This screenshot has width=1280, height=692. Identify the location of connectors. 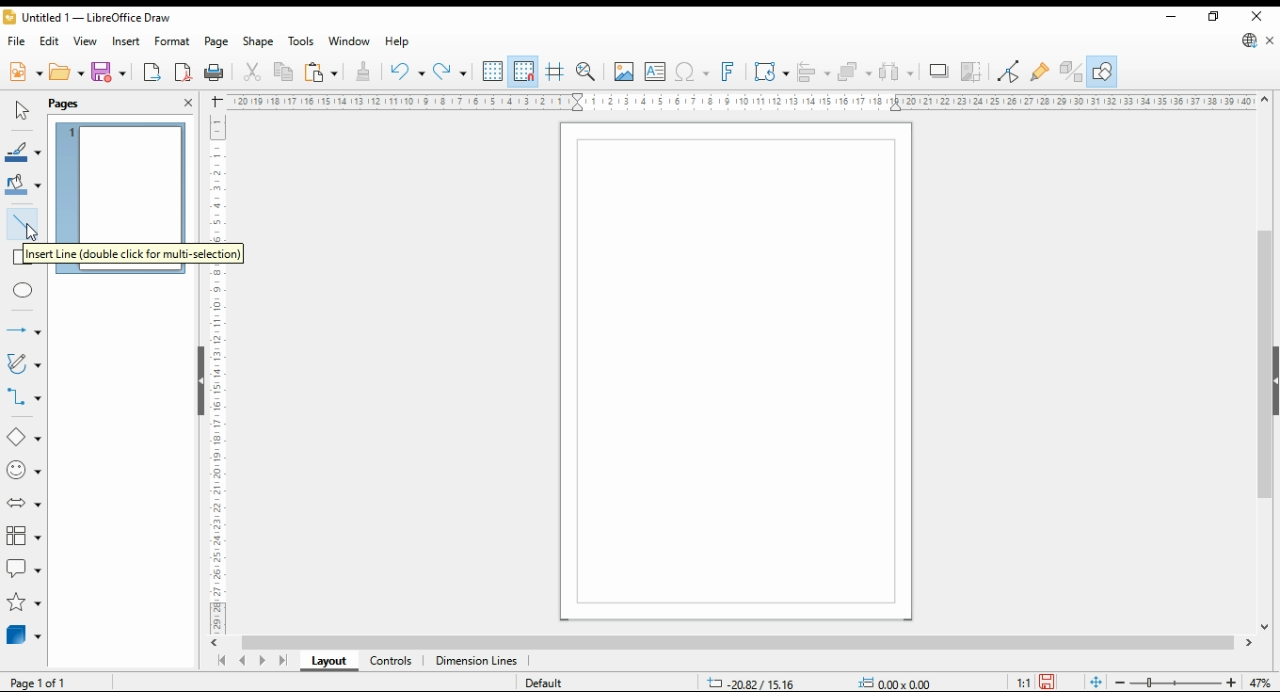
(24, 397).